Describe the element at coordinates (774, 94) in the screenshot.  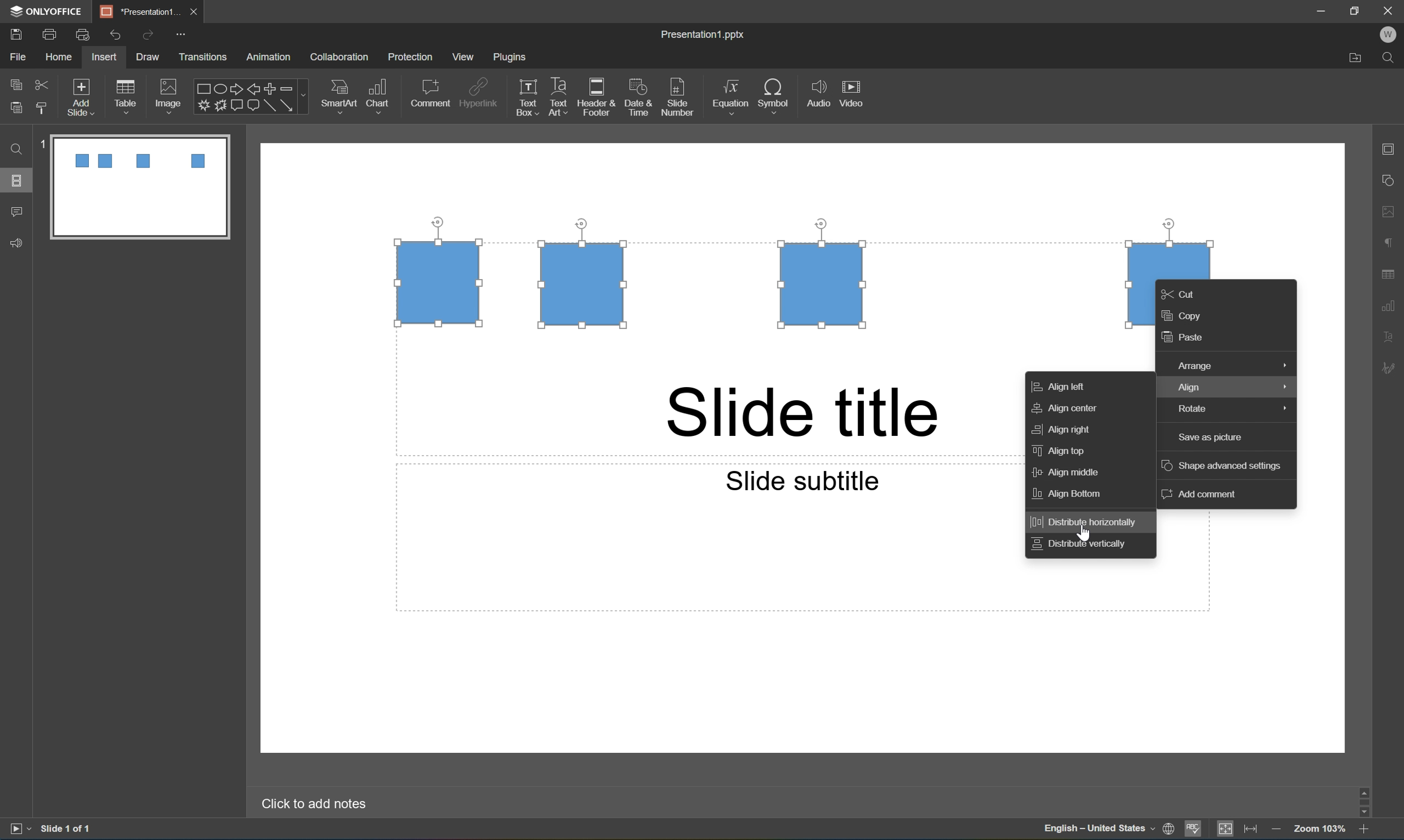
I see `symbol` at that location.